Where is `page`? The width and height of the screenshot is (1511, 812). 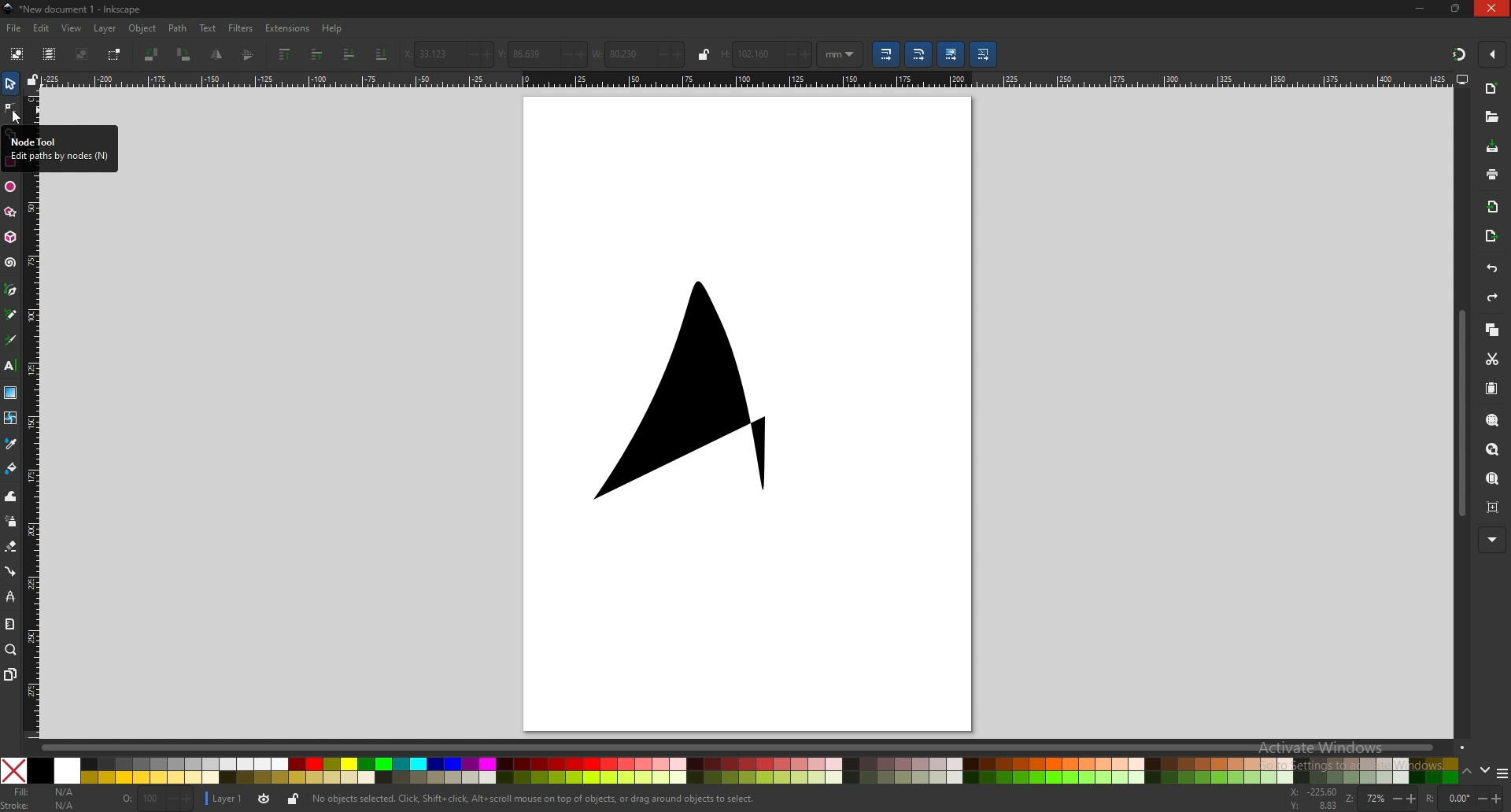 page is located at coordinates (749, 410).